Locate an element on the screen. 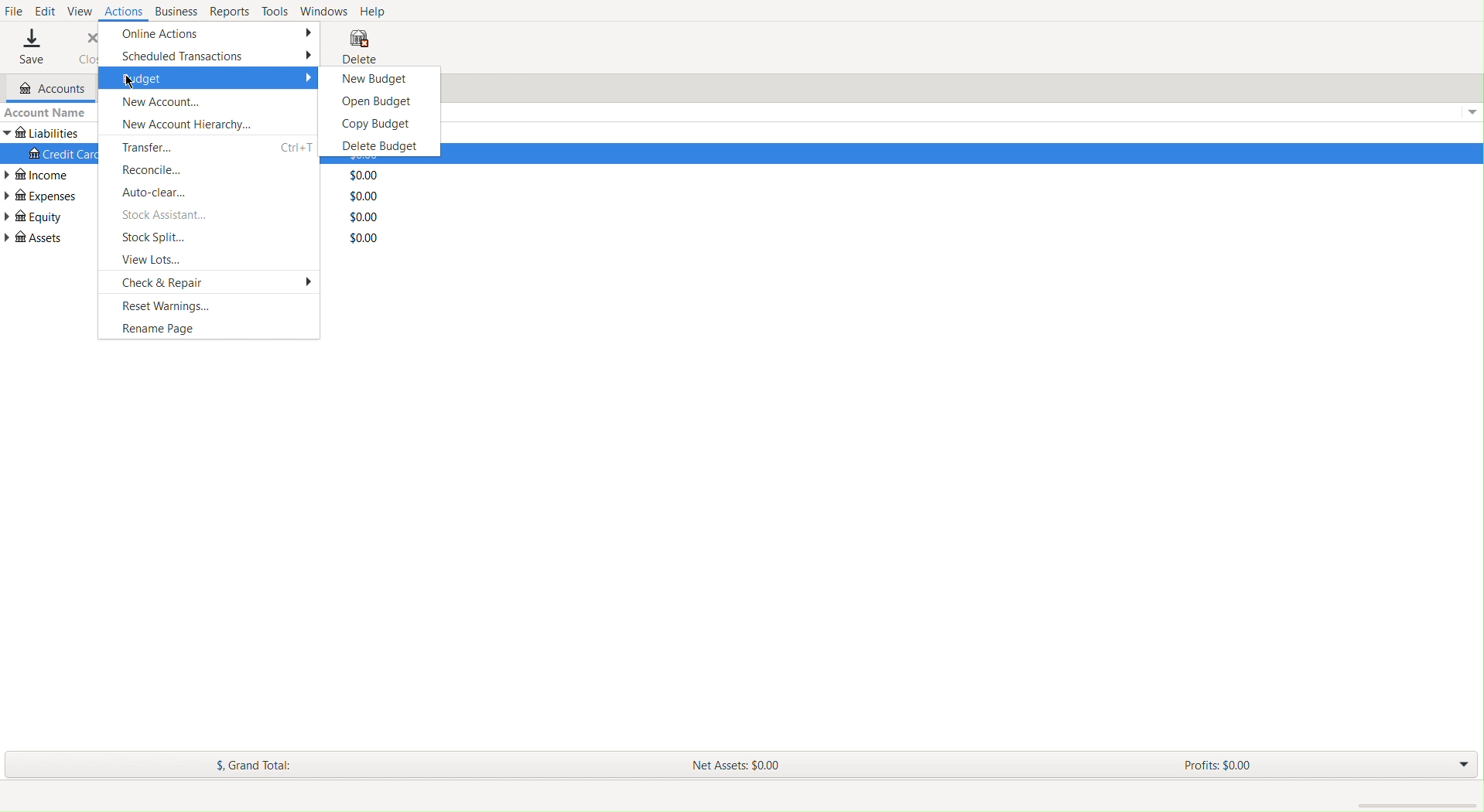 This screenshot has width=1484, height=812. Total is located at coordinates (365, 194).